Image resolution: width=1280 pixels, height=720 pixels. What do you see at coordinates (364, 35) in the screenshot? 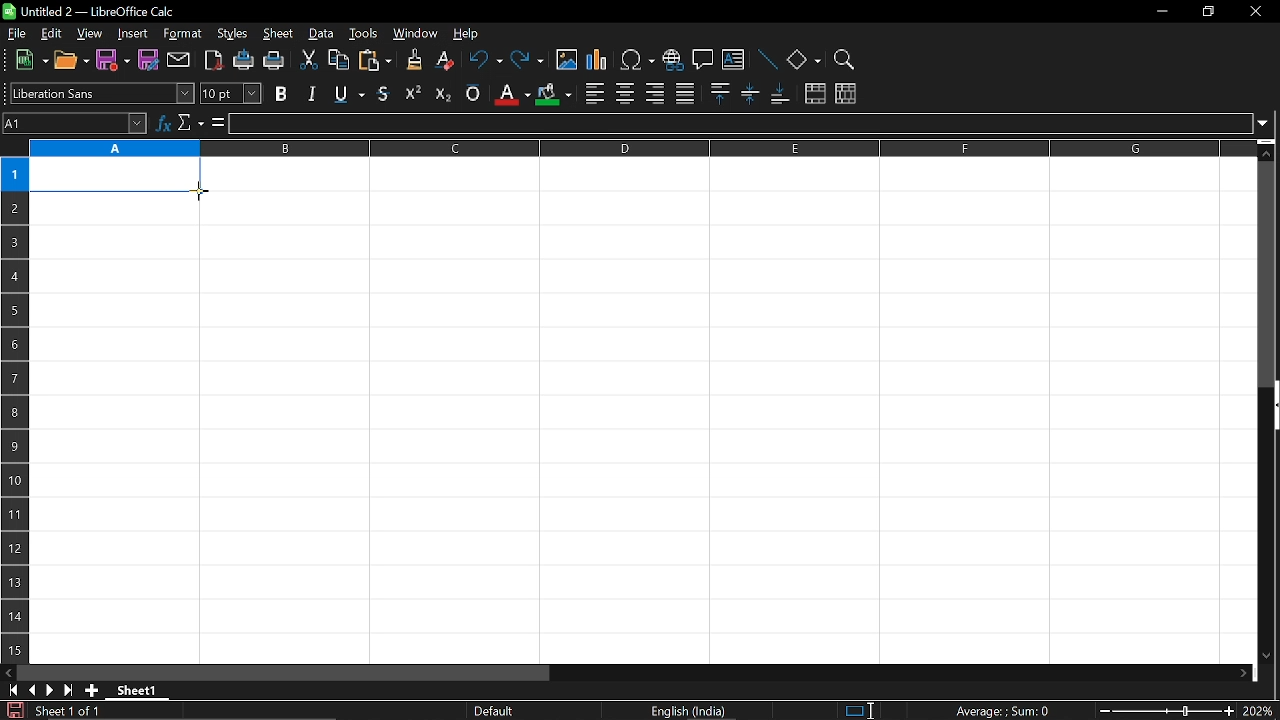
I see `tools` at bounding box center [364, 35].